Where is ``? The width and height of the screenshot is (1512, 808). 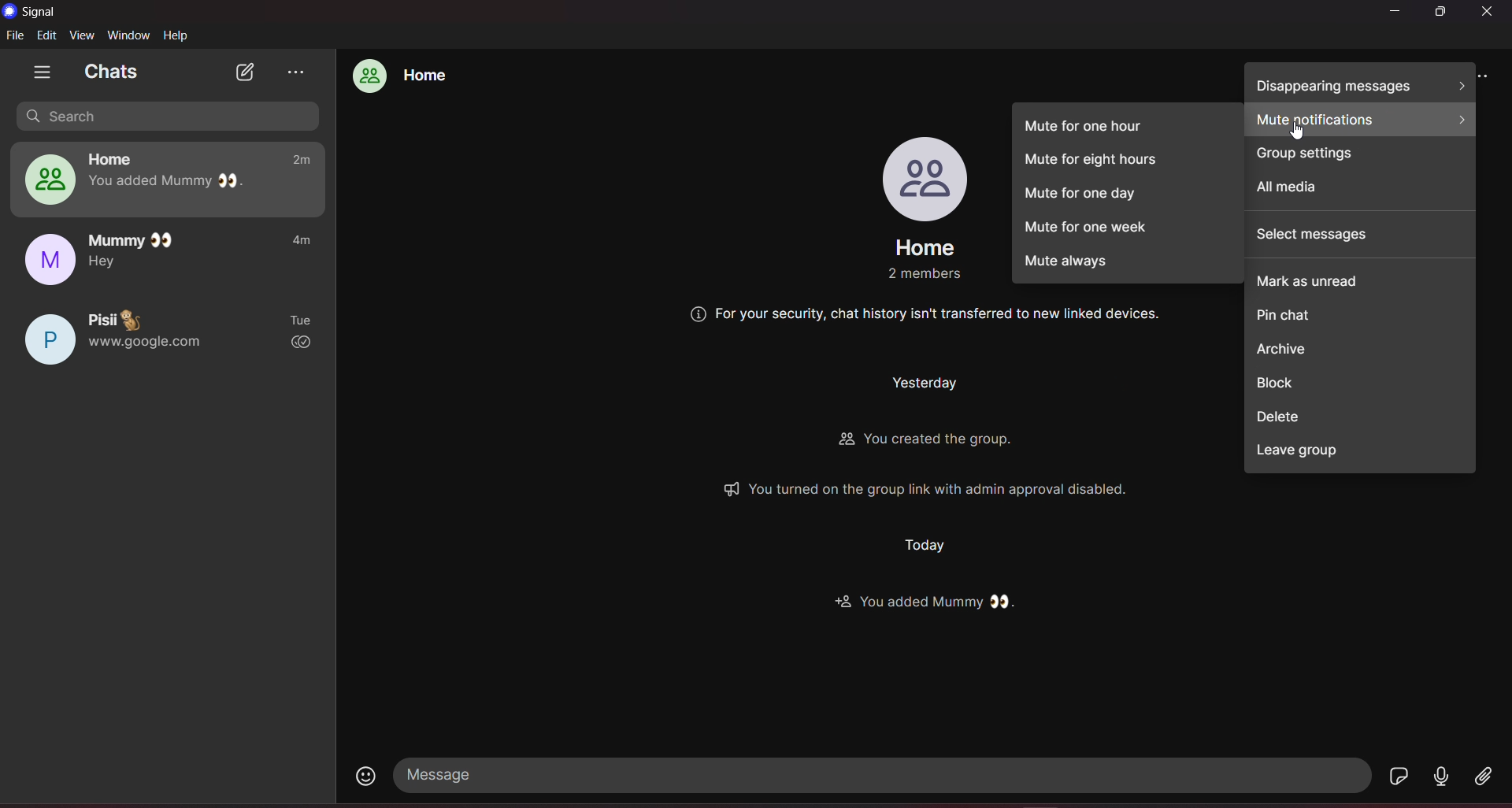  is located at coordinates (924, 605).